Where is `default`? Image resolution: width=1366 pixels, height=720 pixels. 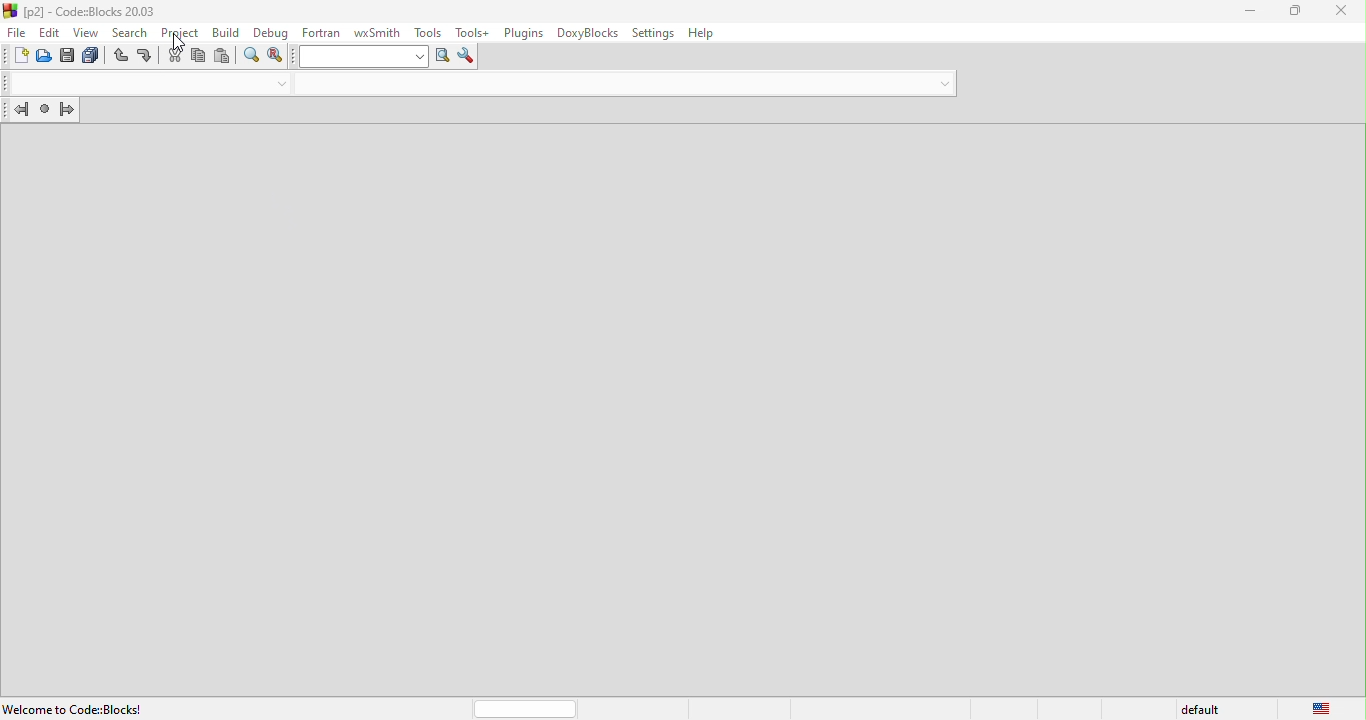
default is located at coordinates (1204, 707).